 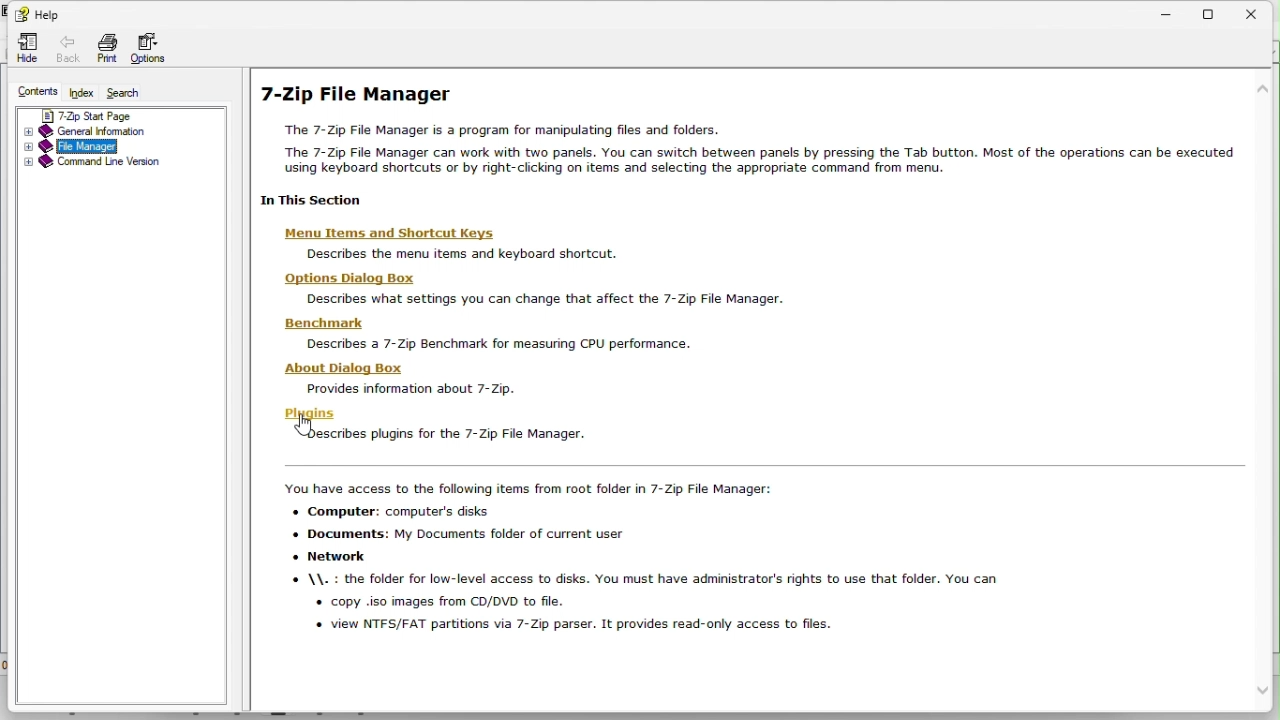 I want to click on cursor, so click(x=310, y=426).